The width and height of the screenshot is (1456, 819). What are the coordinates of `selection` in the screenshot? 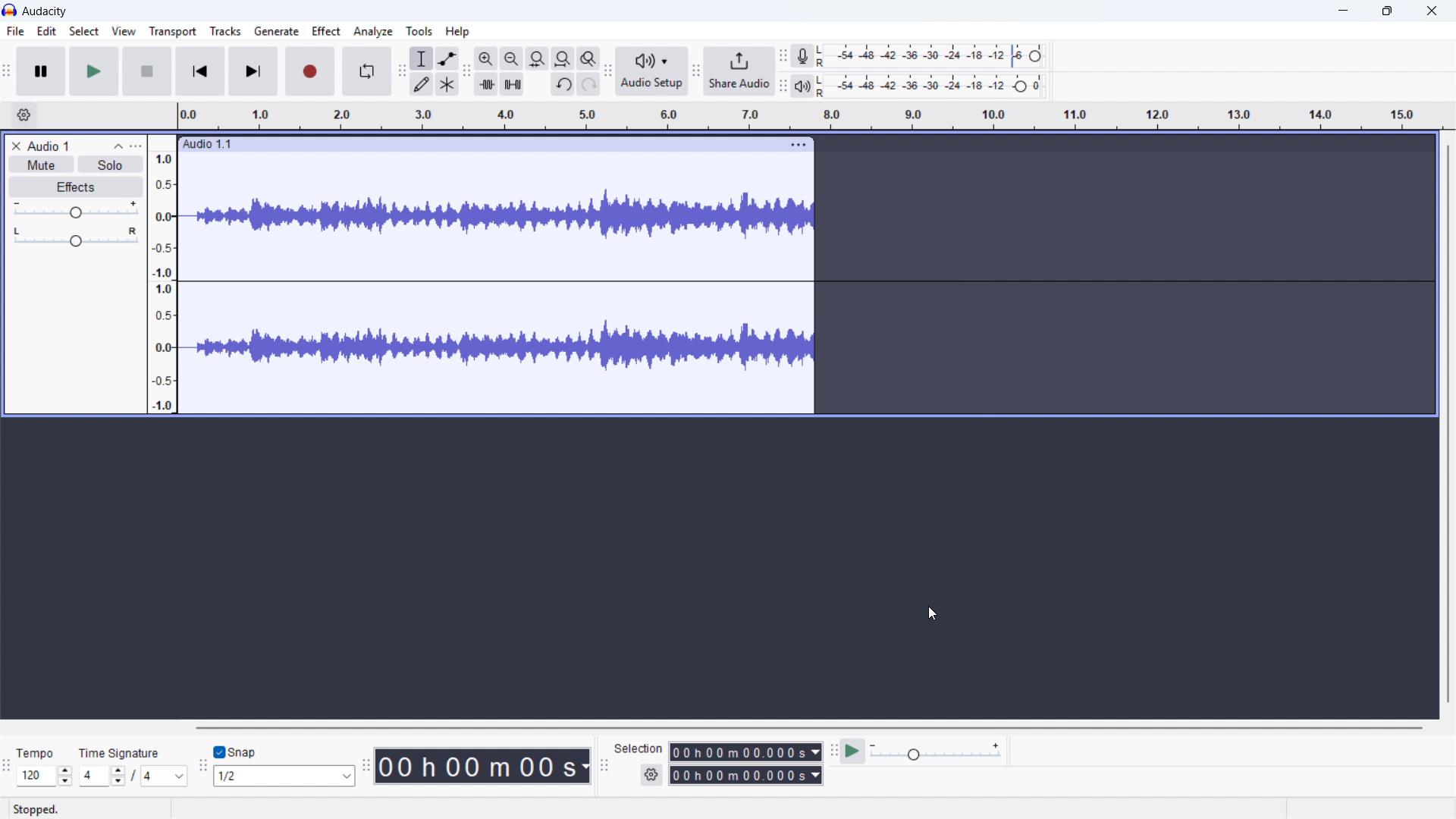 It's located at (639, 748).